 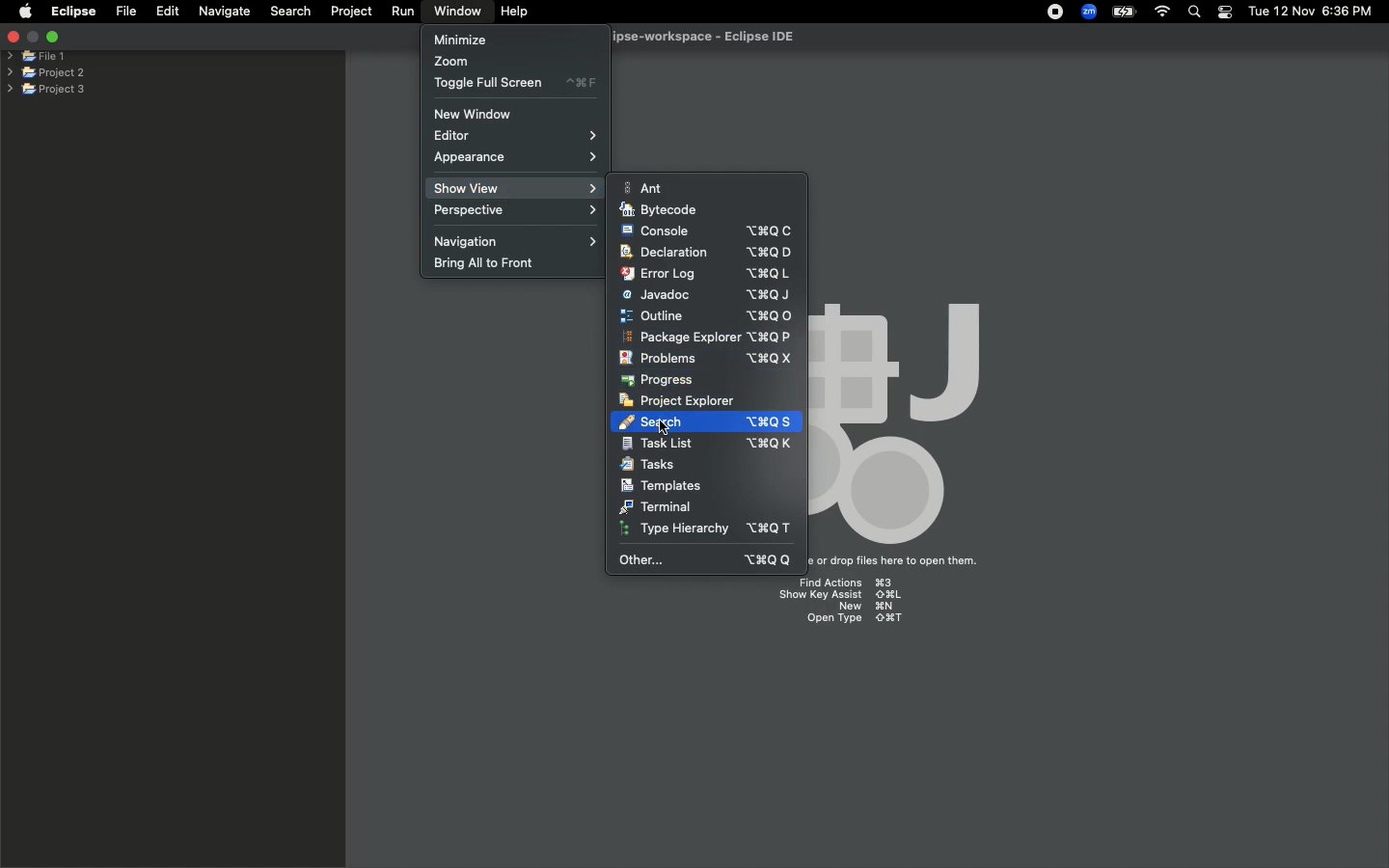 What do you see at coordinates (849, 604) in the screenshot?
I see `Shortcuts` at bounding box center [849, 604].